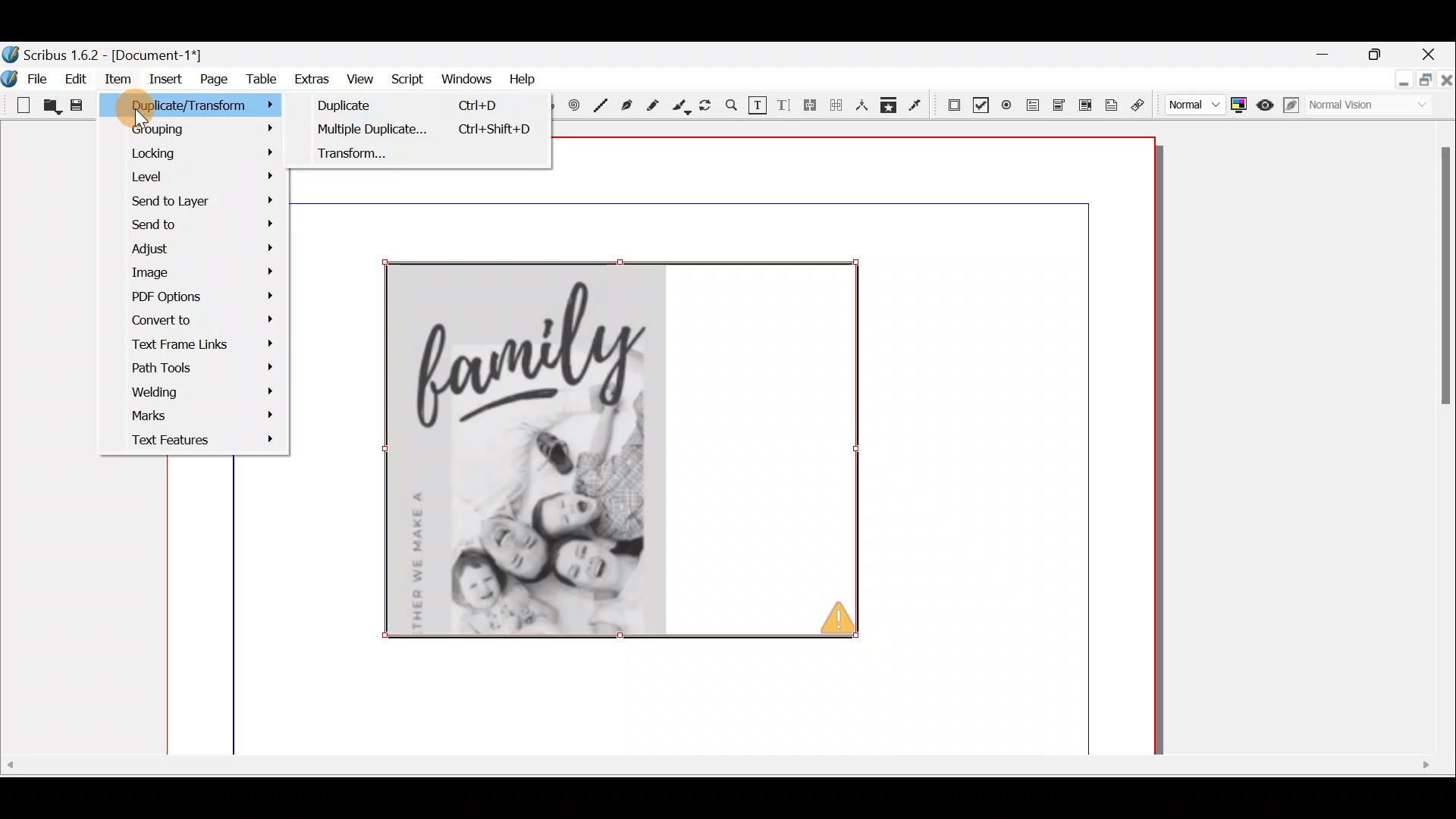 The height and width of the screenshot is (819, 1456). Describe the element at coordinates (463, 78) in the screenshot. I see `Windows` at that location.